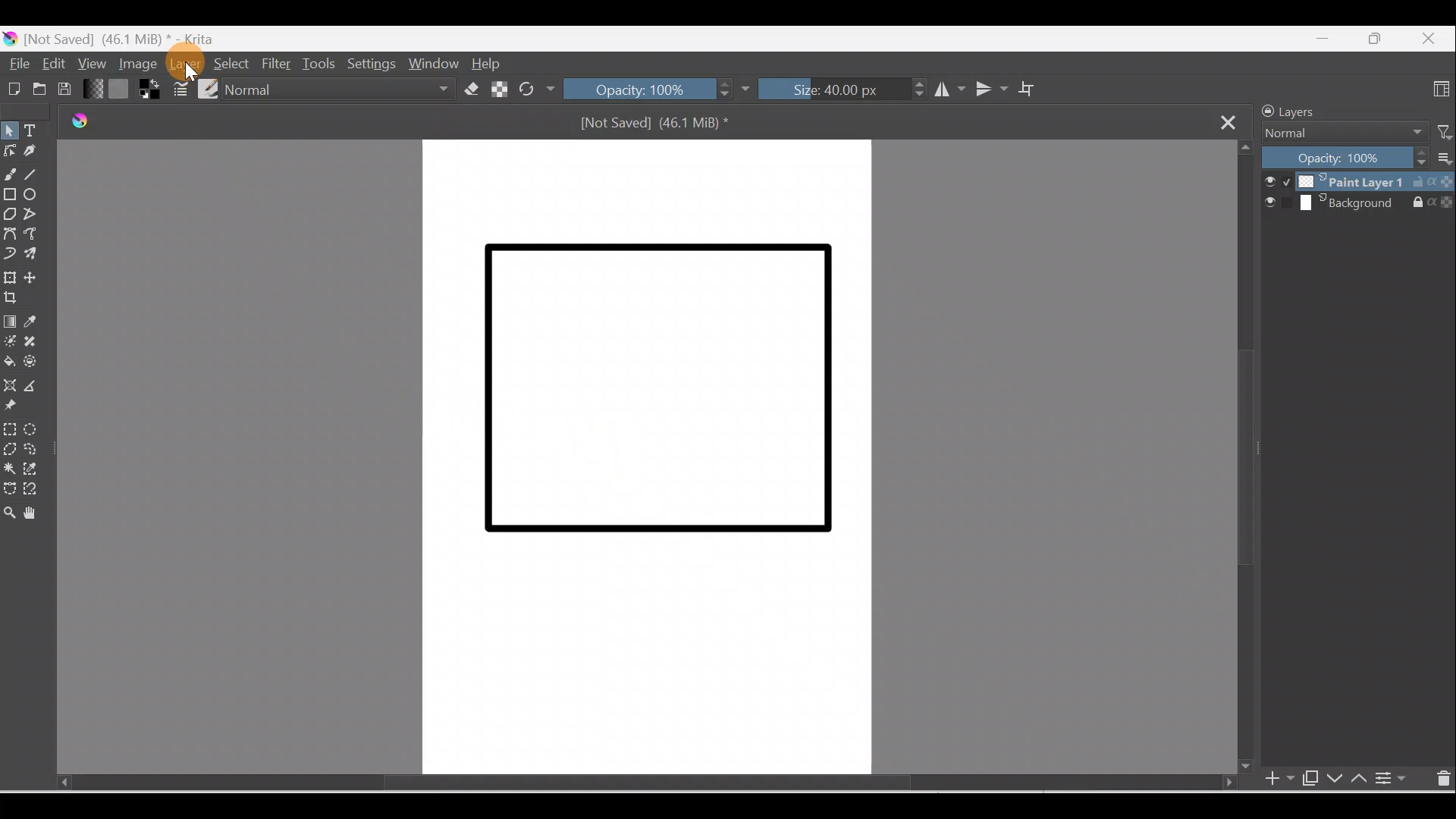  I want to click on Zoom tool, so click(9, 515).